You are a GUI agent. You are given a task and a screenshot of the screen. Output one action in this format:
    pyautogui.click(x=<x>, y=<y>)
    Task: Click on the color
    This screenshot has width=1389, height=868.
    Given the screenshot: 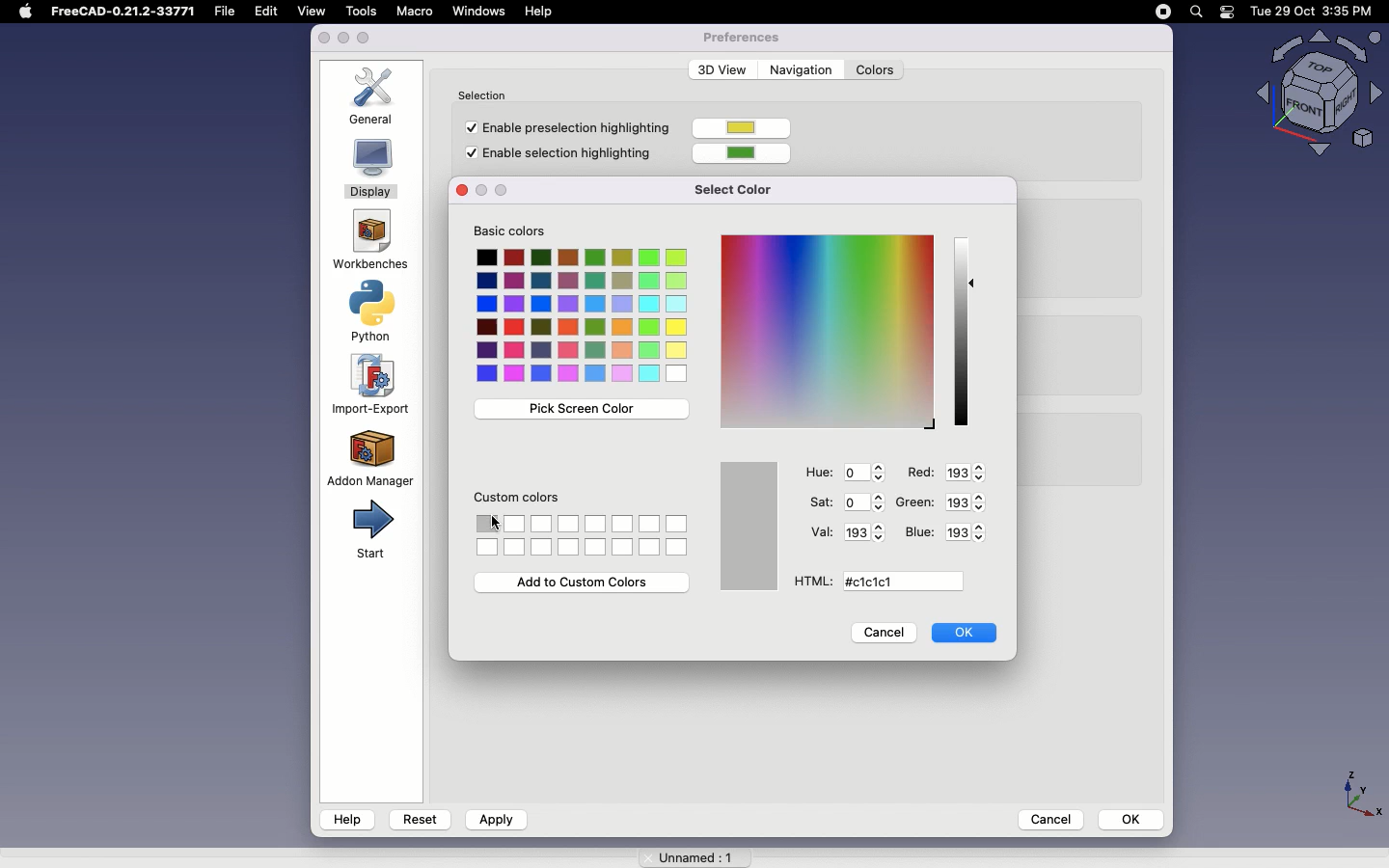 What is the action you would take?
    pyautogui.click(x=744, y=129)
    